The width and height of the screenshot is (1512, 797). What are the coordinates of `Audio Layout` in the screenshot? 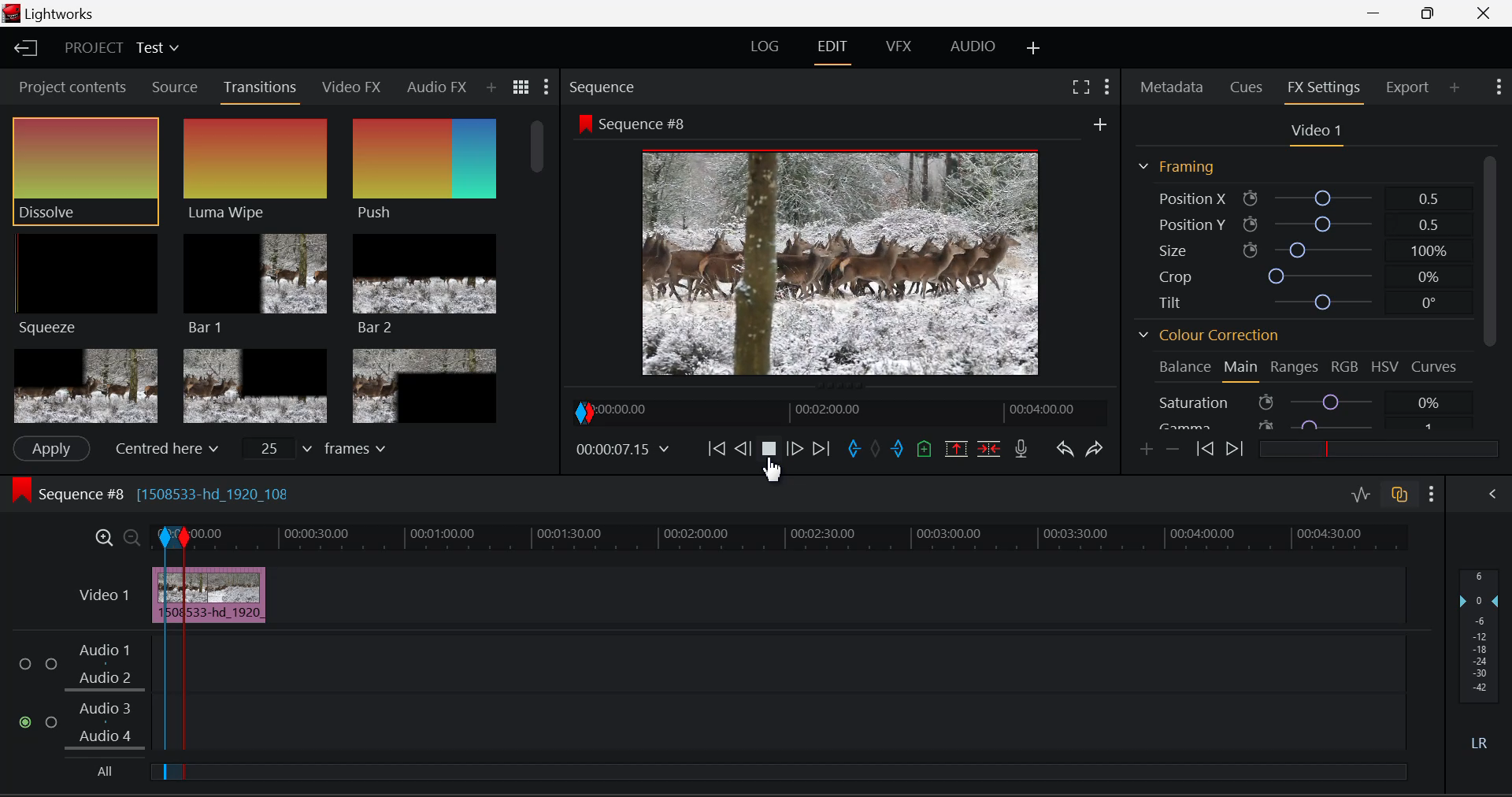 It's located at (969, 50).